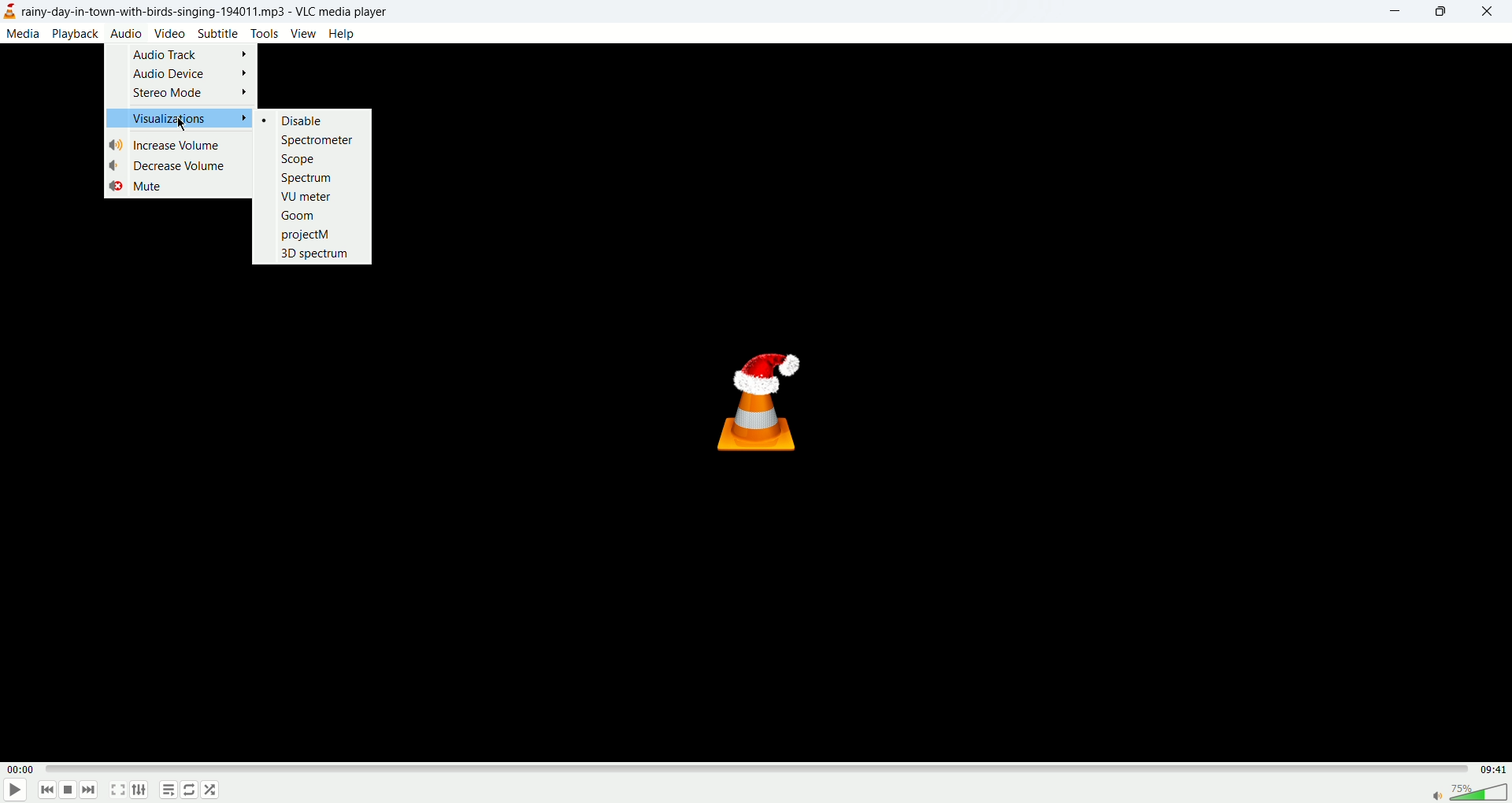 This screenshot has width=1512, height=803. I want to click on Mute, so click(147, 187).